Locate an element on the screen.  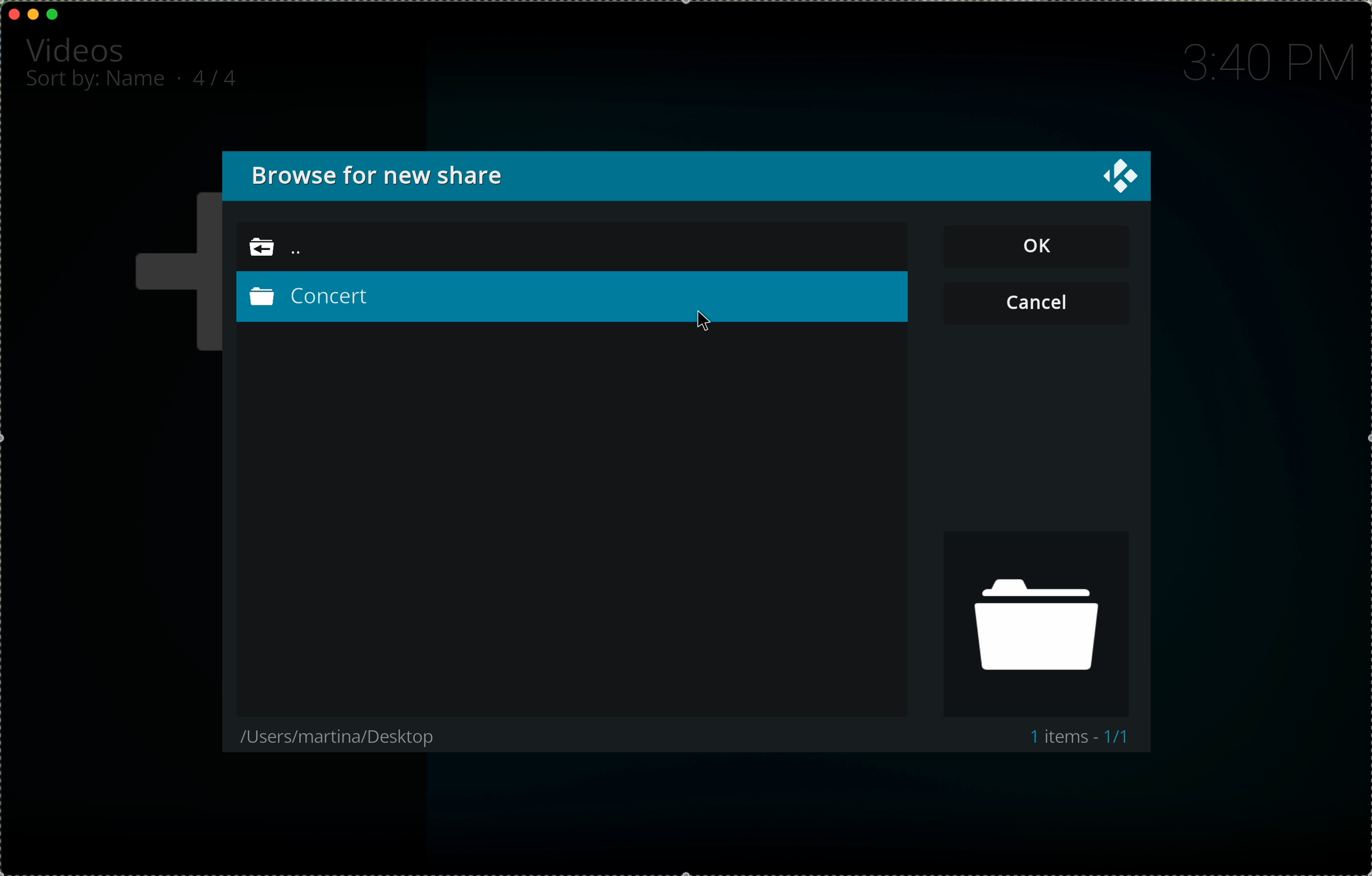
browse is located at coordinates (391, 175).